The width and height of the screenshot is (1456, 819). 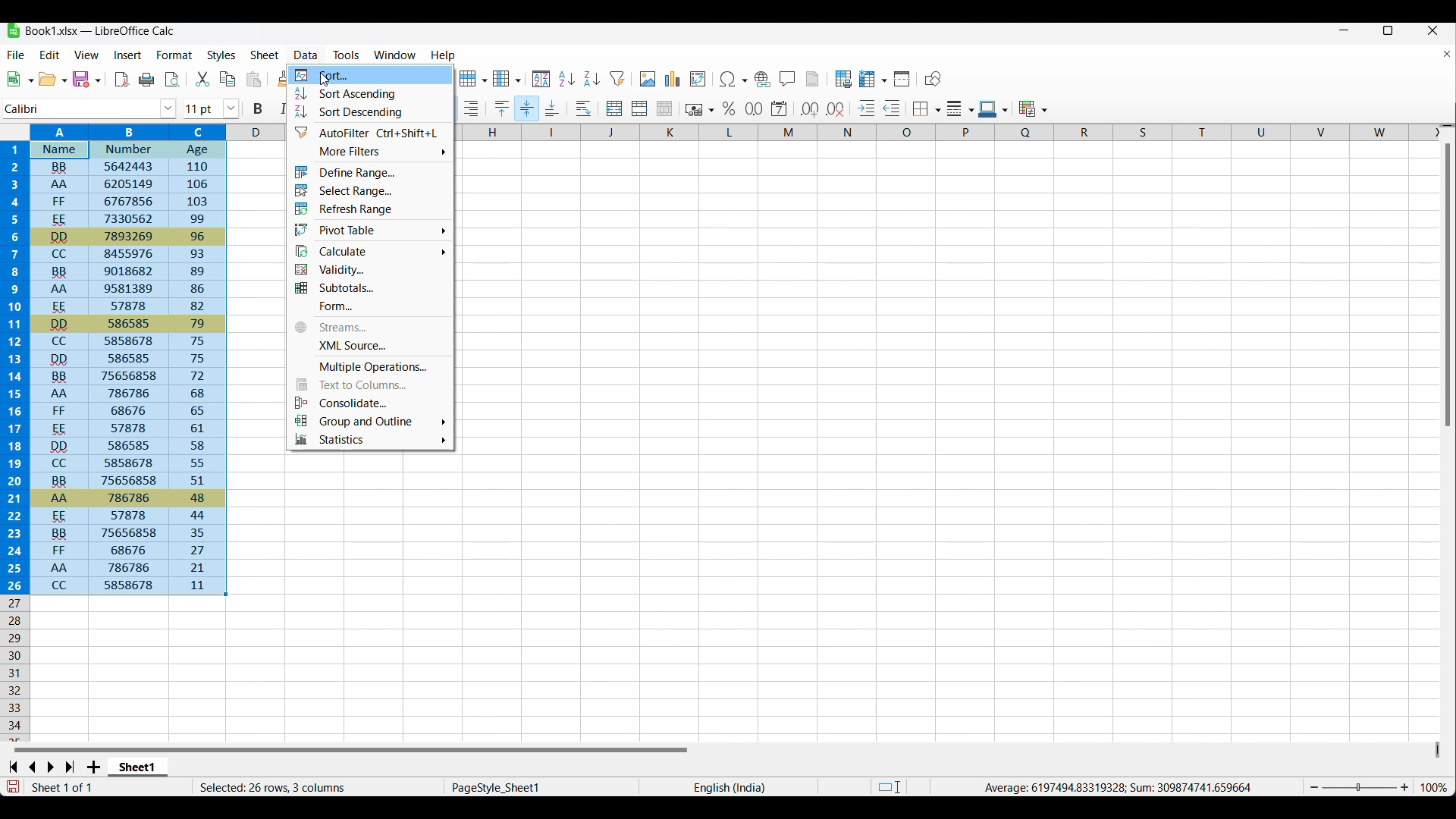 What do you see at coordinates (50, 55) in the screenshot?
I see `Edit menu` at bounding box center [50, 55].